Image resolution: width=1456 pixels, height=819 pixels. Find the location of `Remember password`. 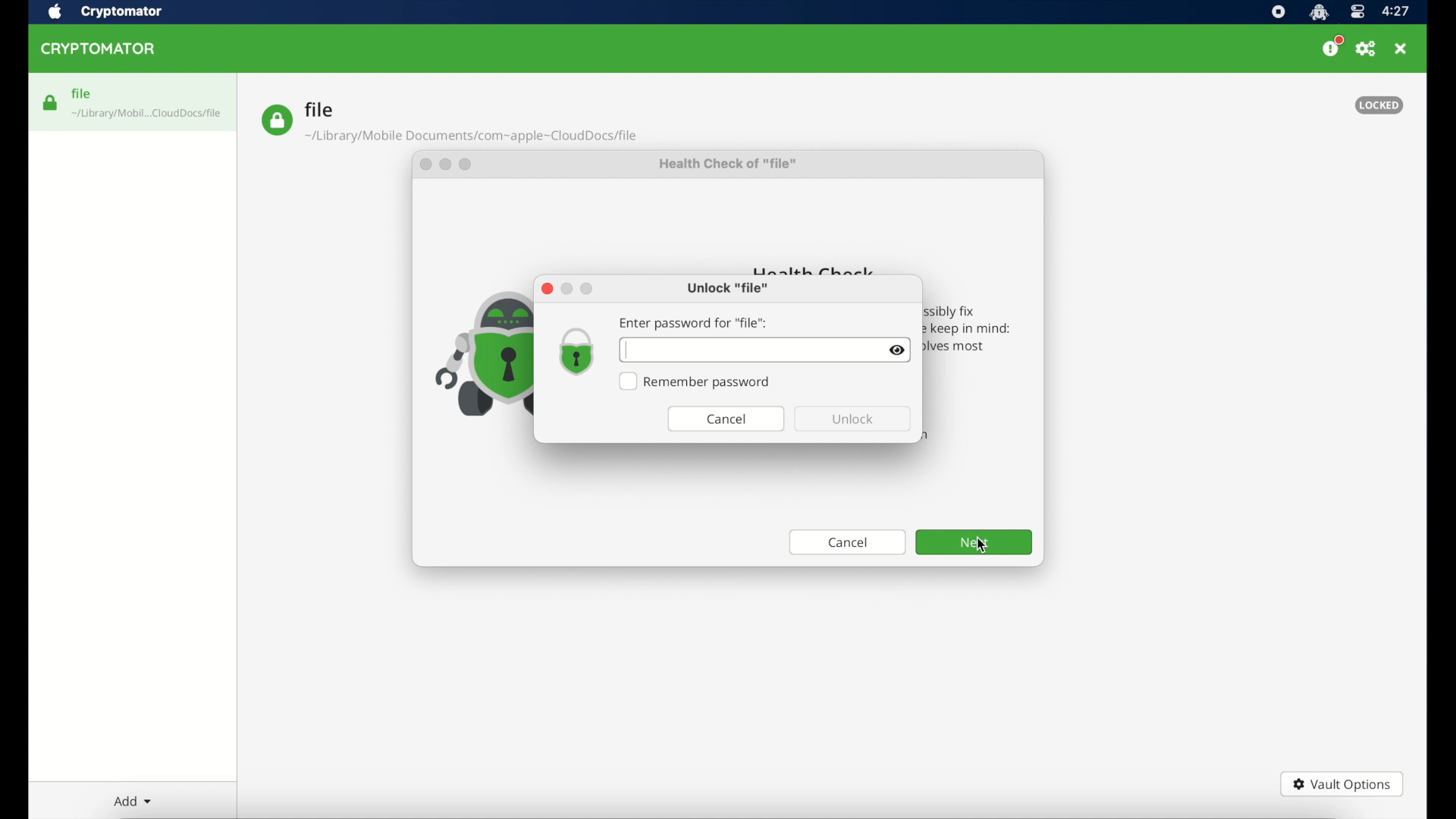

Remember password is located at coordinates (696, 382).